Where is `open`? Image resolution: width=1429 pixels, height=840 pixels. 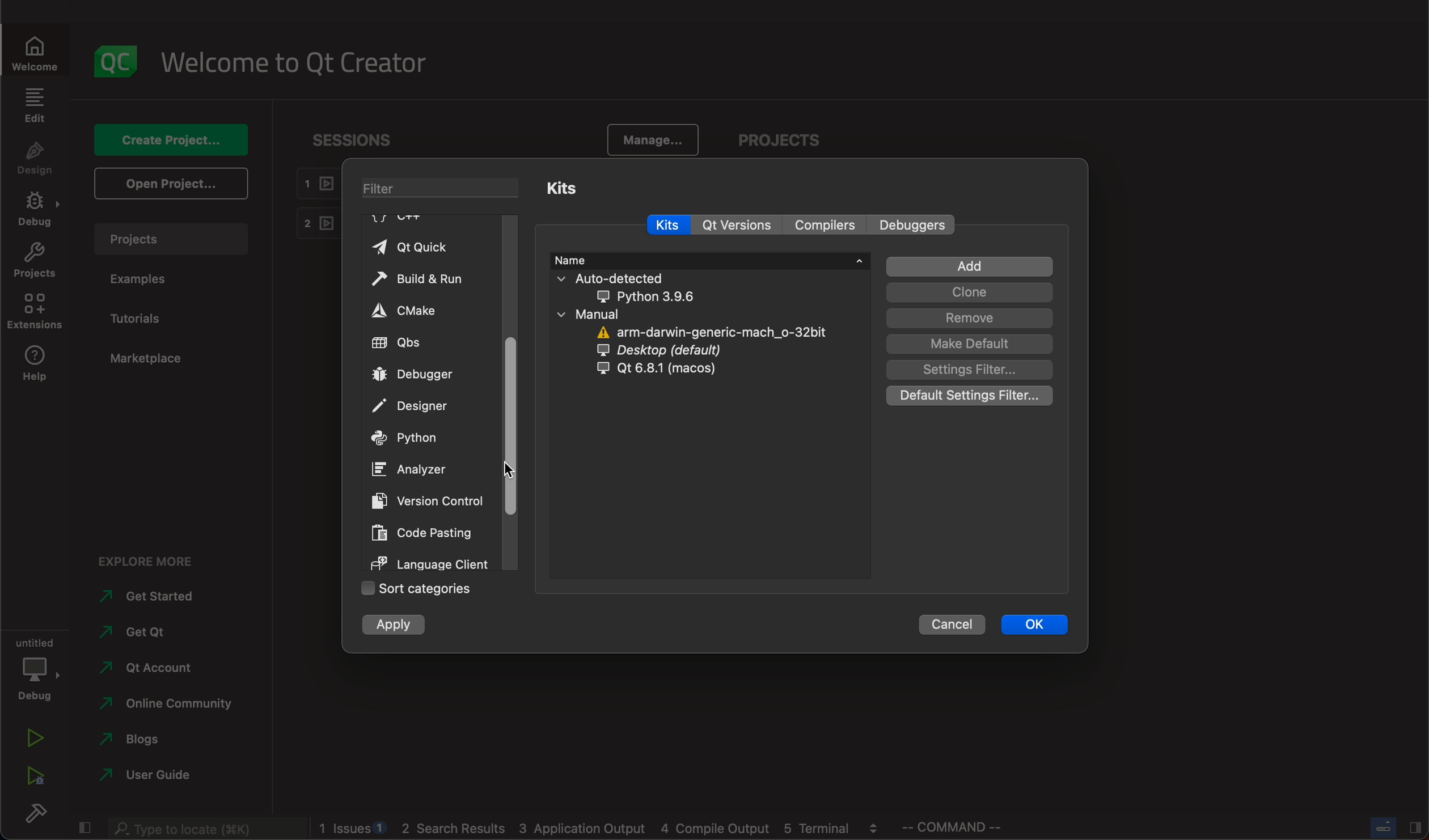
open is located at coordinates (174, 184).